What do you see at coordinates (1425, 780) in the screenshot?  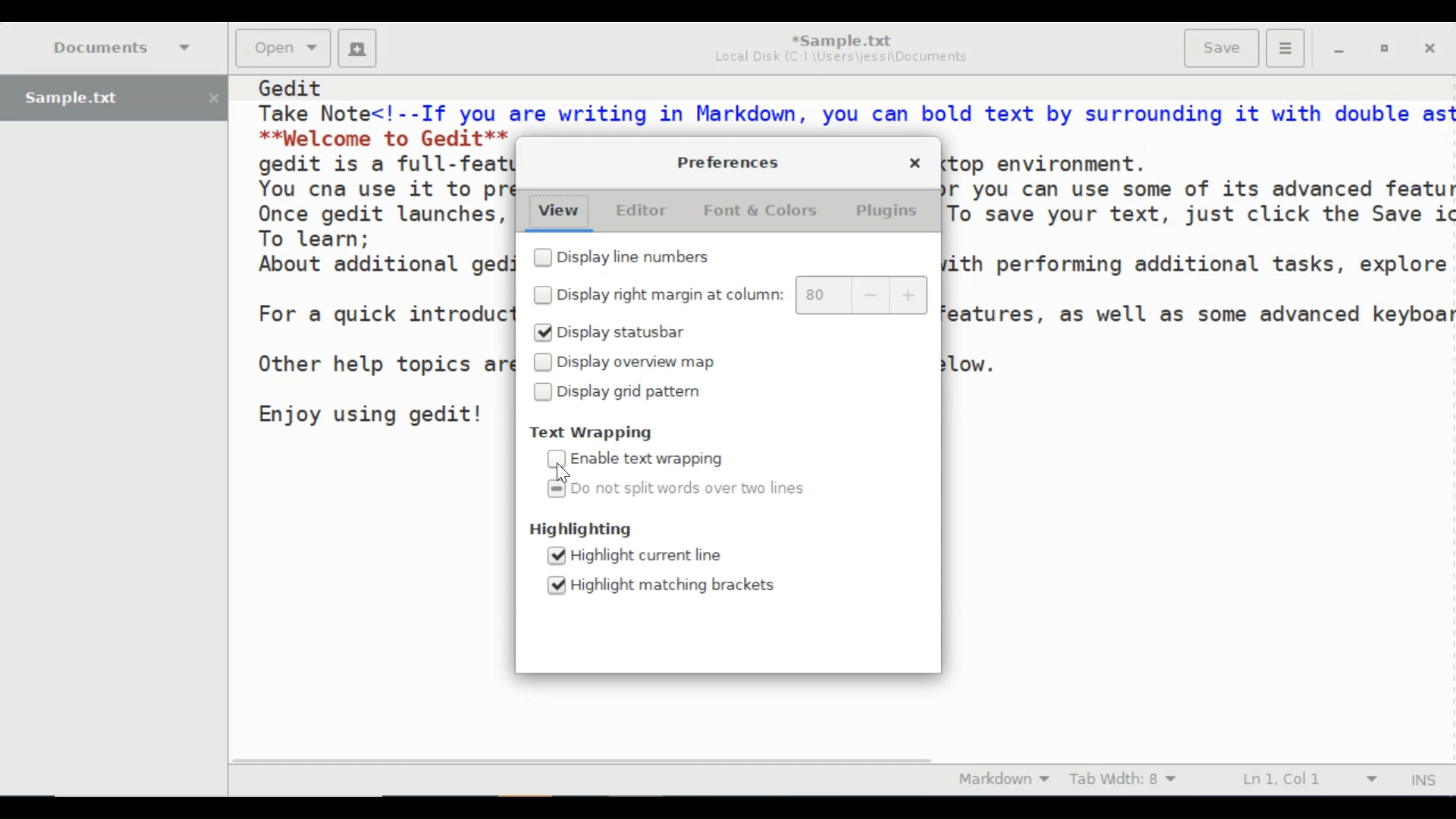 I see `Insert Moode` at bounding box center [1425, 780].